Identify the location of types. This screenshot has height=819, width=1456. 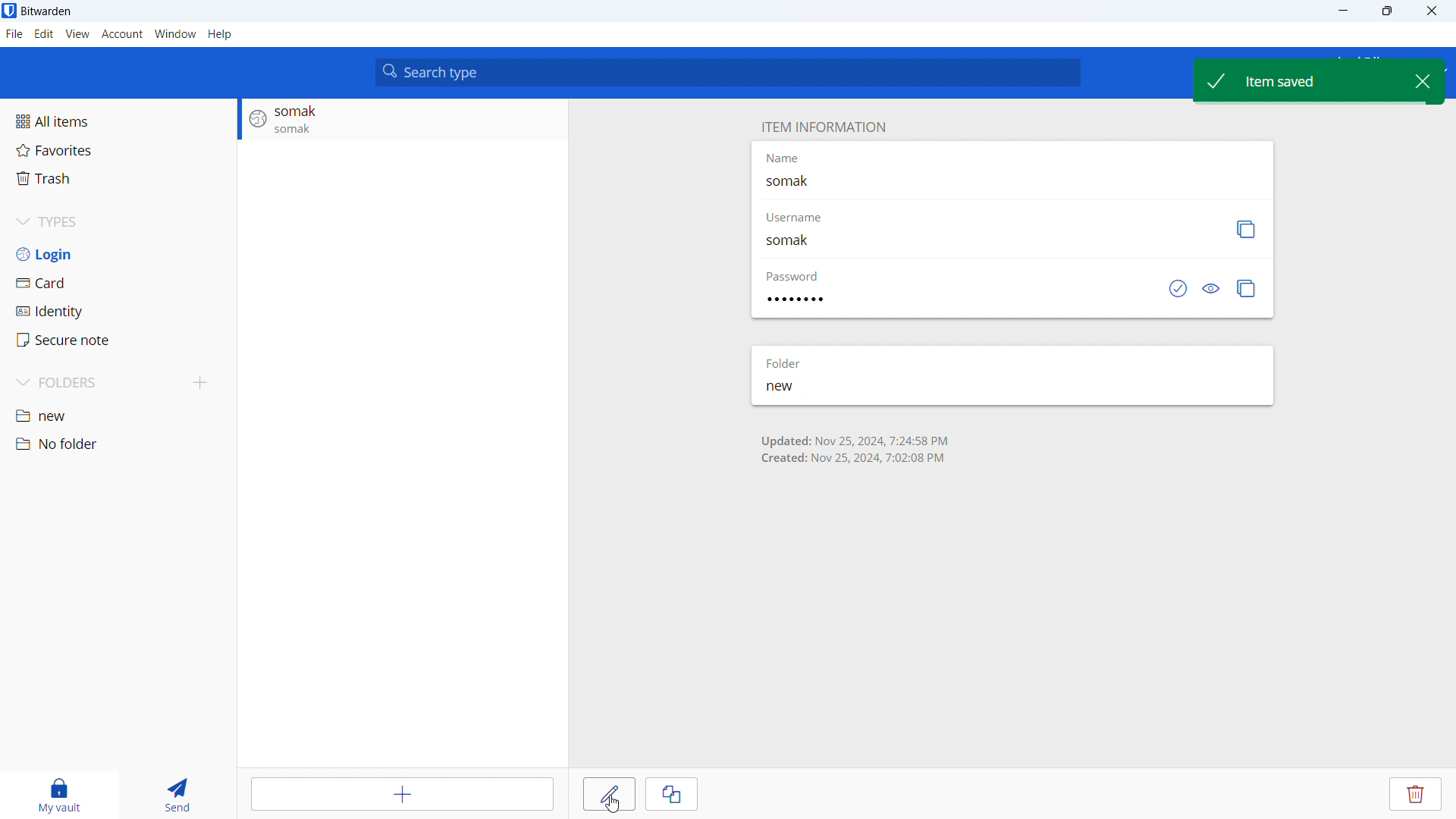
(118, 221).